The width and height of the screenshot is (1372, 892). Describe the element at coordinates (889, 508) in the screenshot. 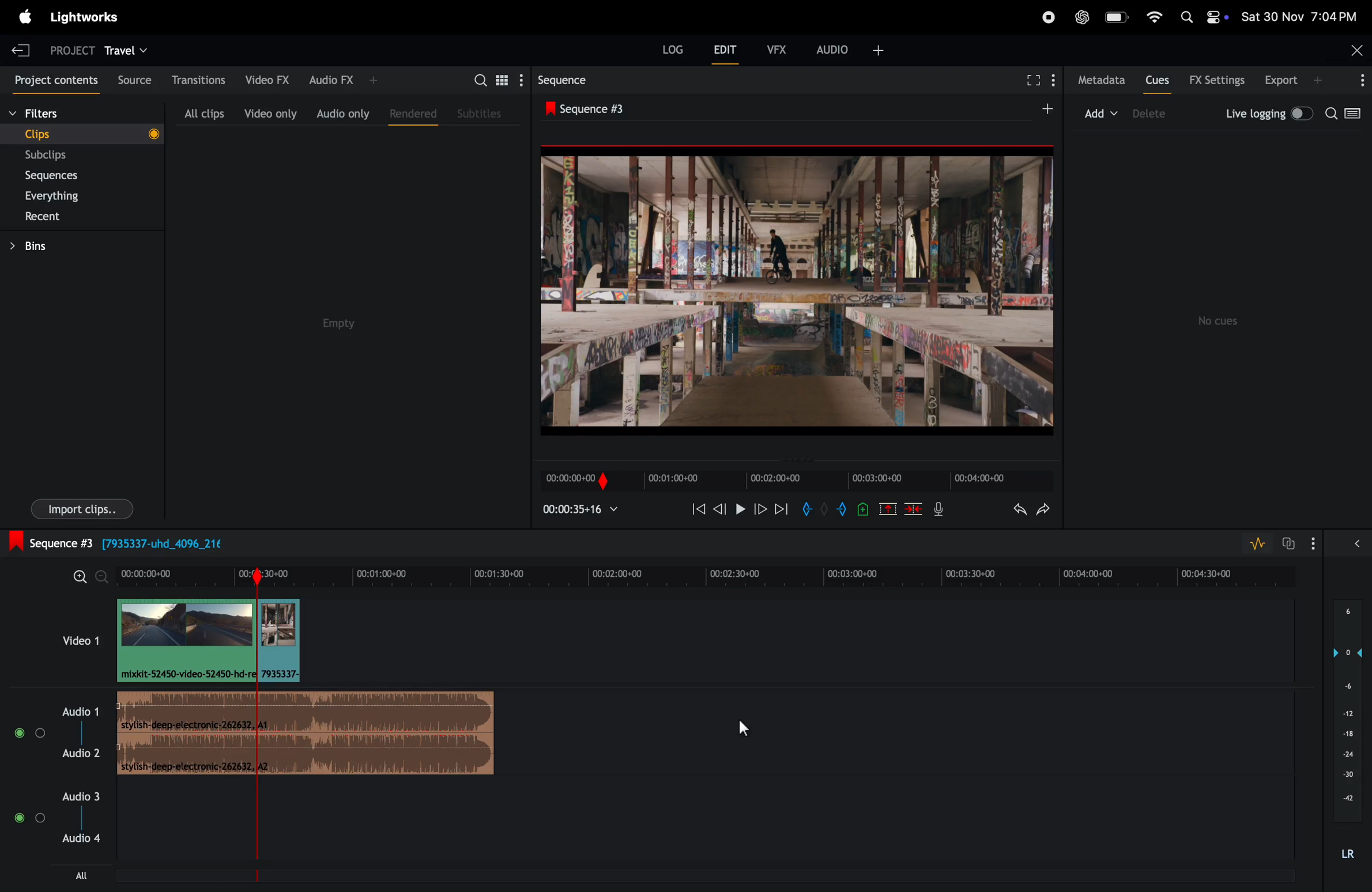

I see `` at that location.